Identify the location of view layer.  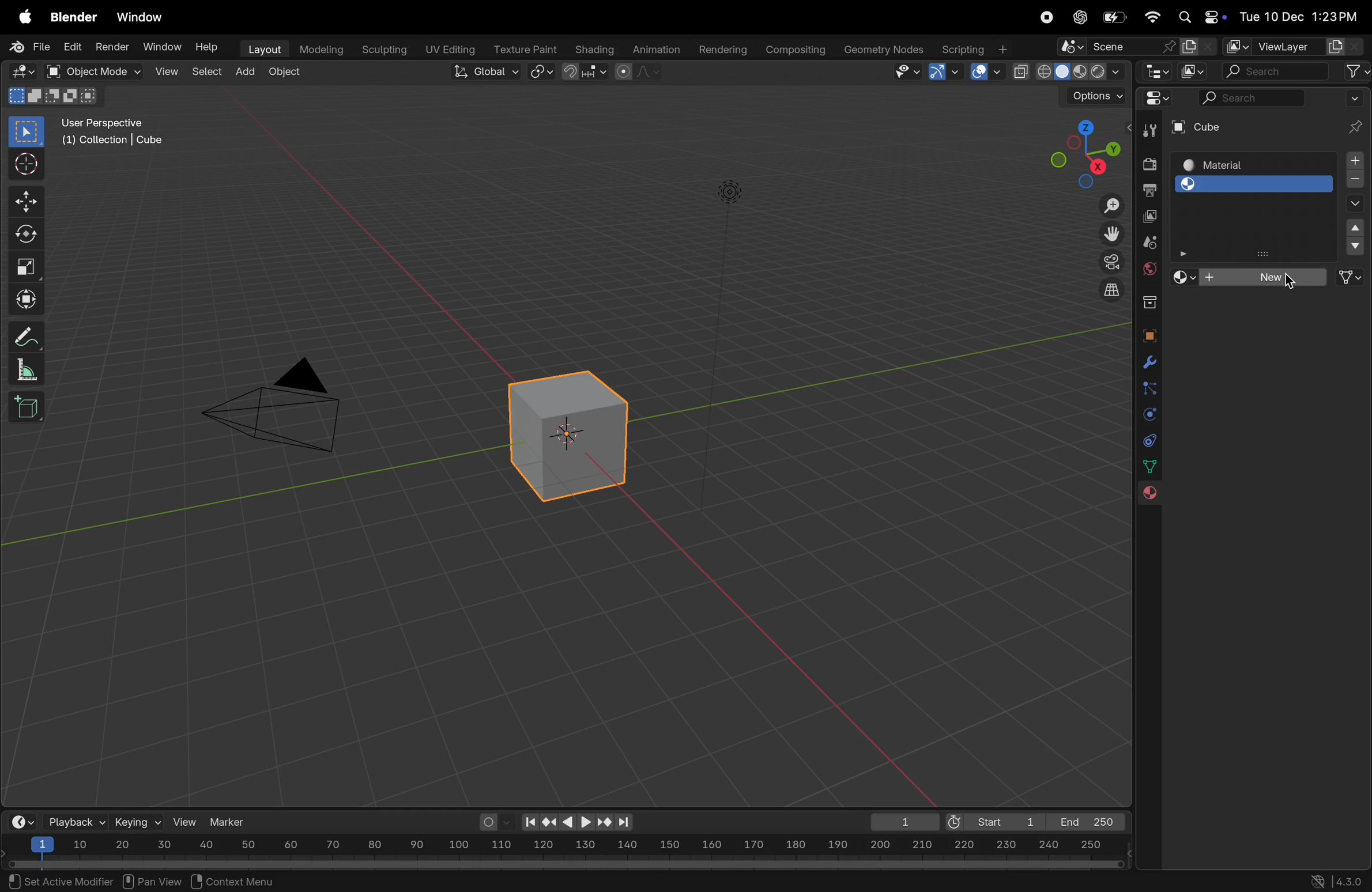
(1284, 44).